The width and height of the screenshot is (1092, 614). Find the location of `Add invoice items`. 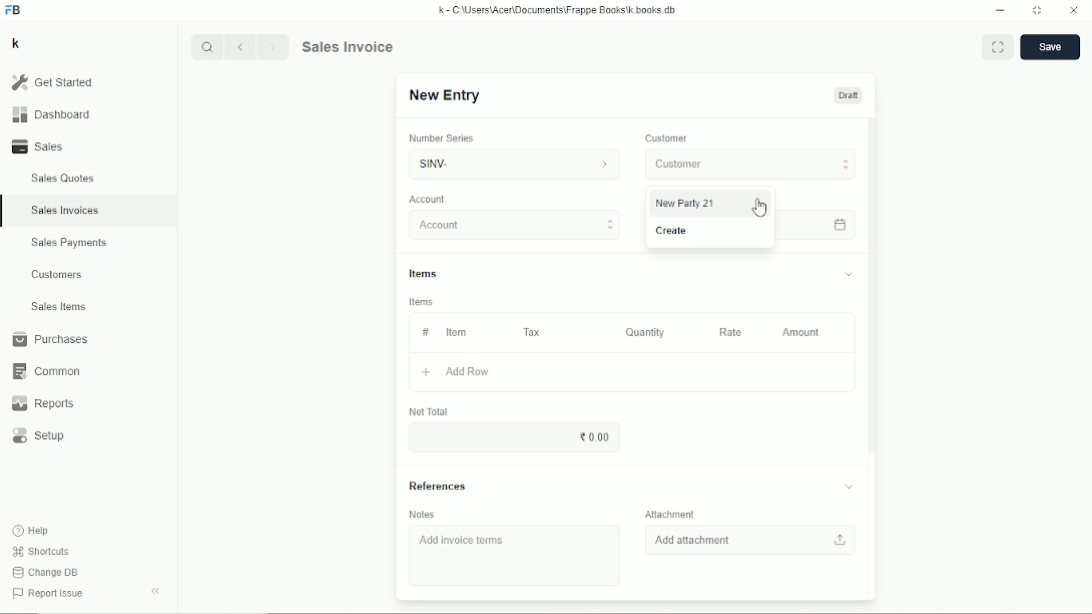

Add invoice items is located at coordinates (465, 541).